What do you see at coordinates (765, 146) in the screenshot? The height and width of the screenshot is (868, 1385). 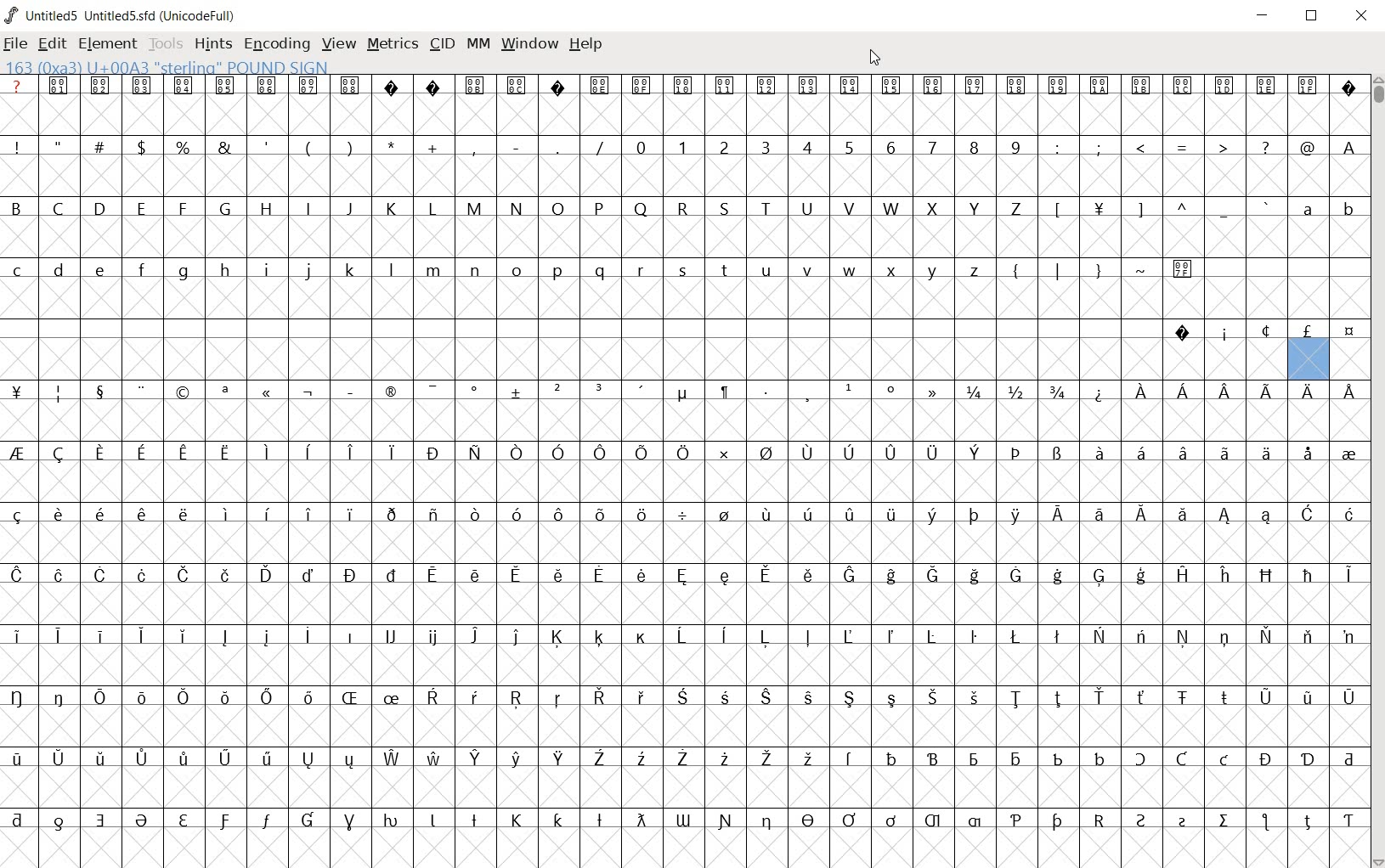 I see `3` at bounding box center [765, 146].